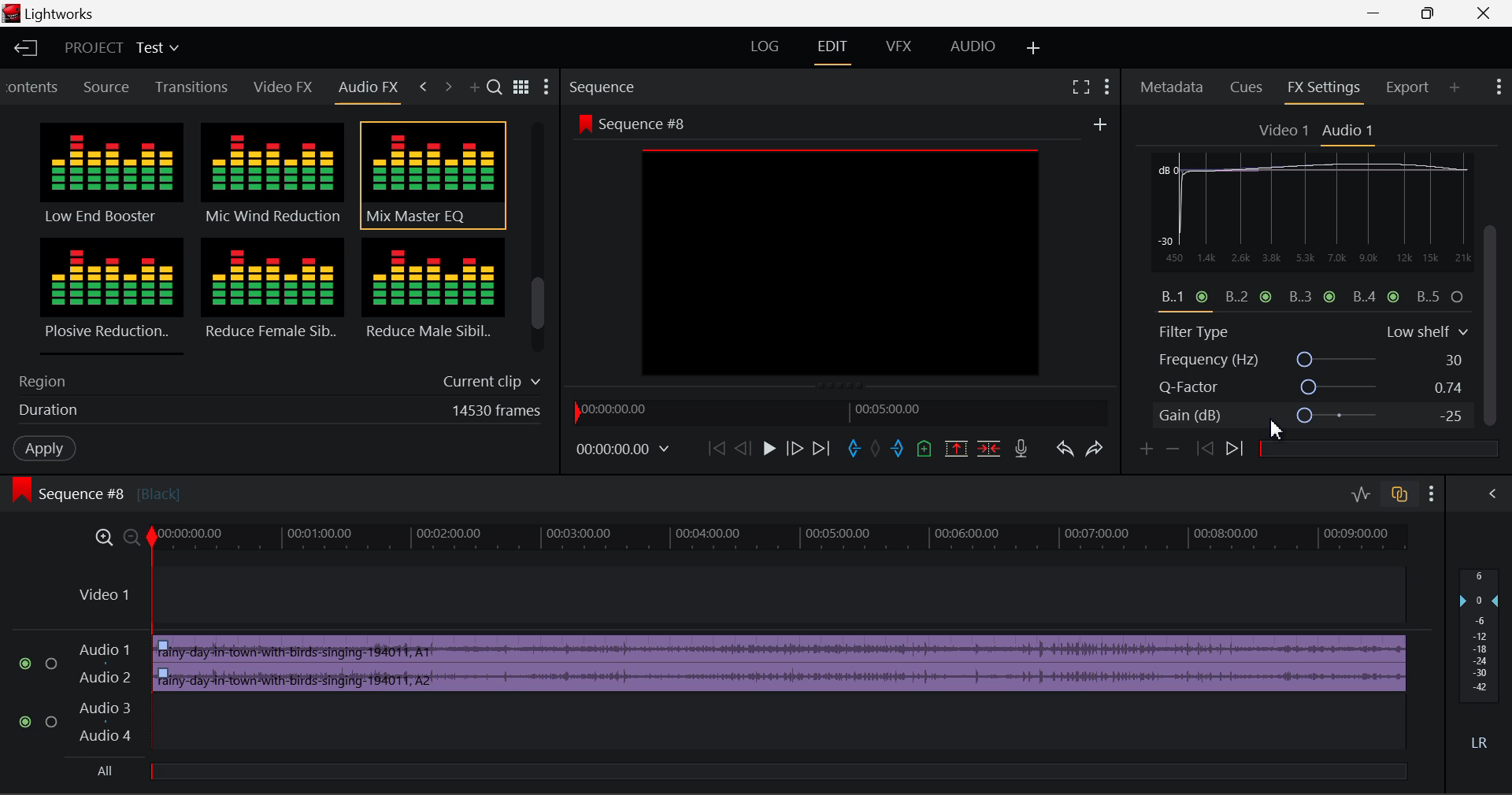  I want to click on Settings, so click(547, 89).